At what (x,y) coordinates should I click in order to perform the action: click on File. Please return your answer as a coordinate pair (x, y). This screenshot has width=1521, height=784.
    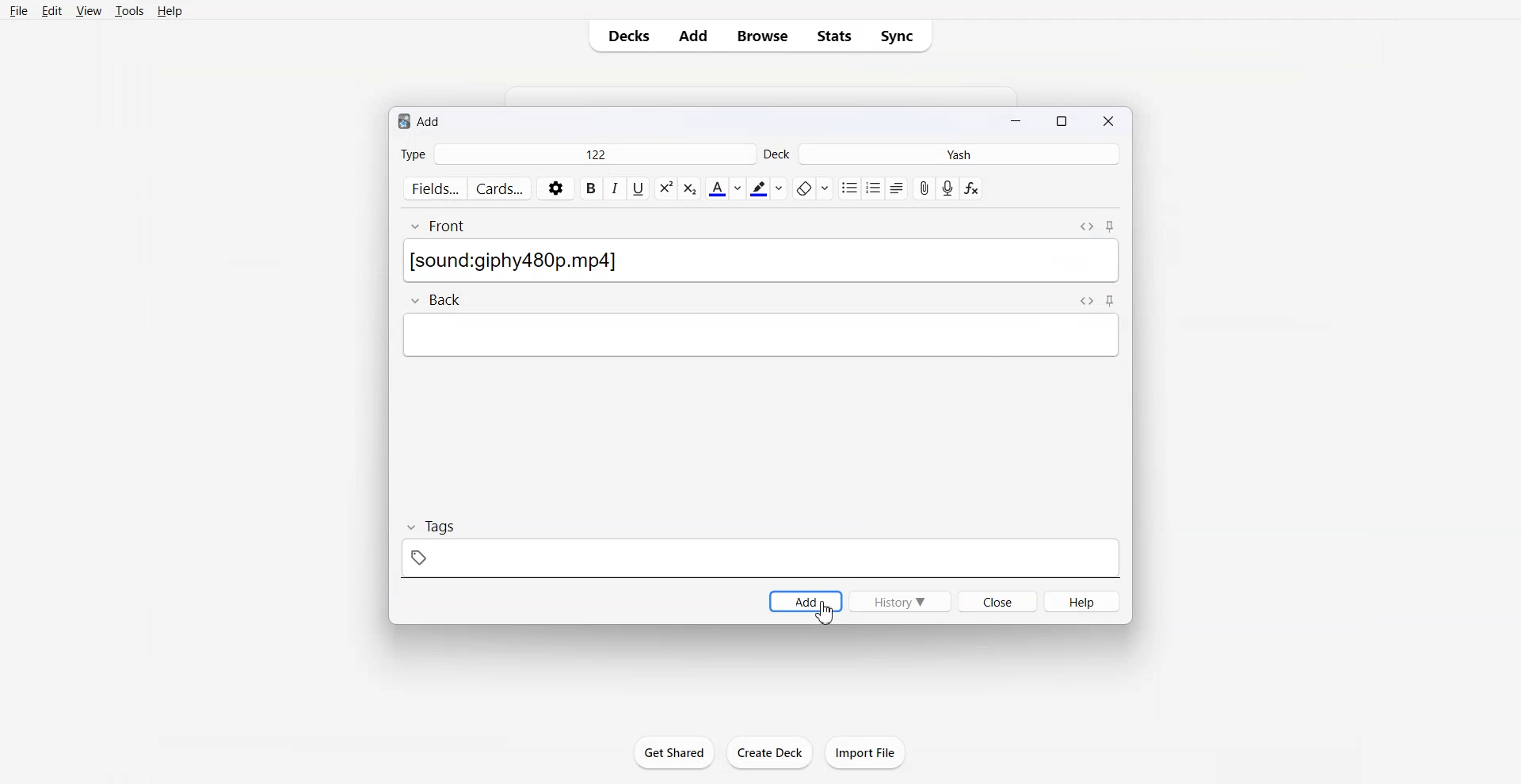
    Looking at the image, I should click on (19, 11).